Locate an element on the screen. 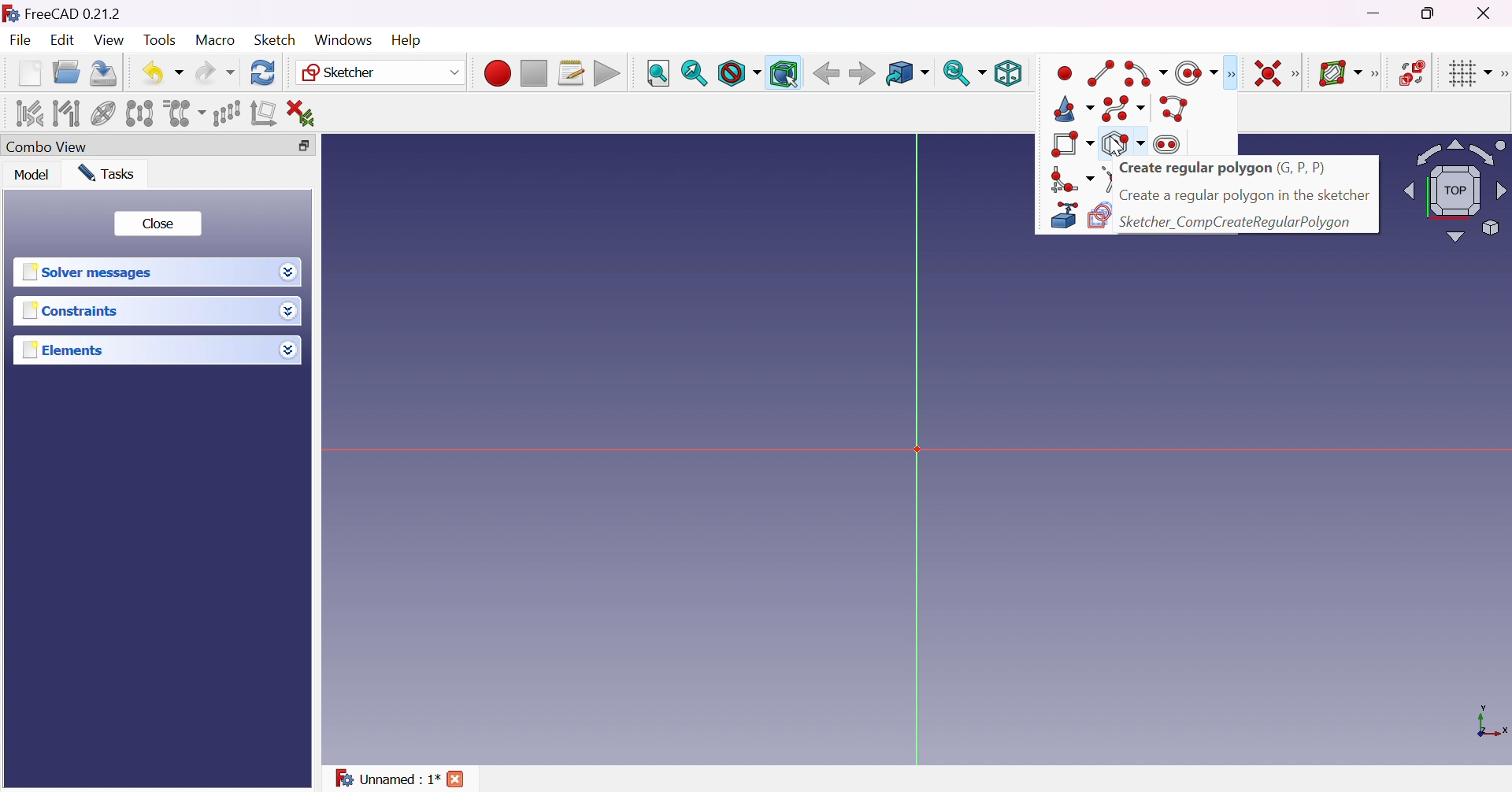  Restore down is located at coordinates (1434, 12).